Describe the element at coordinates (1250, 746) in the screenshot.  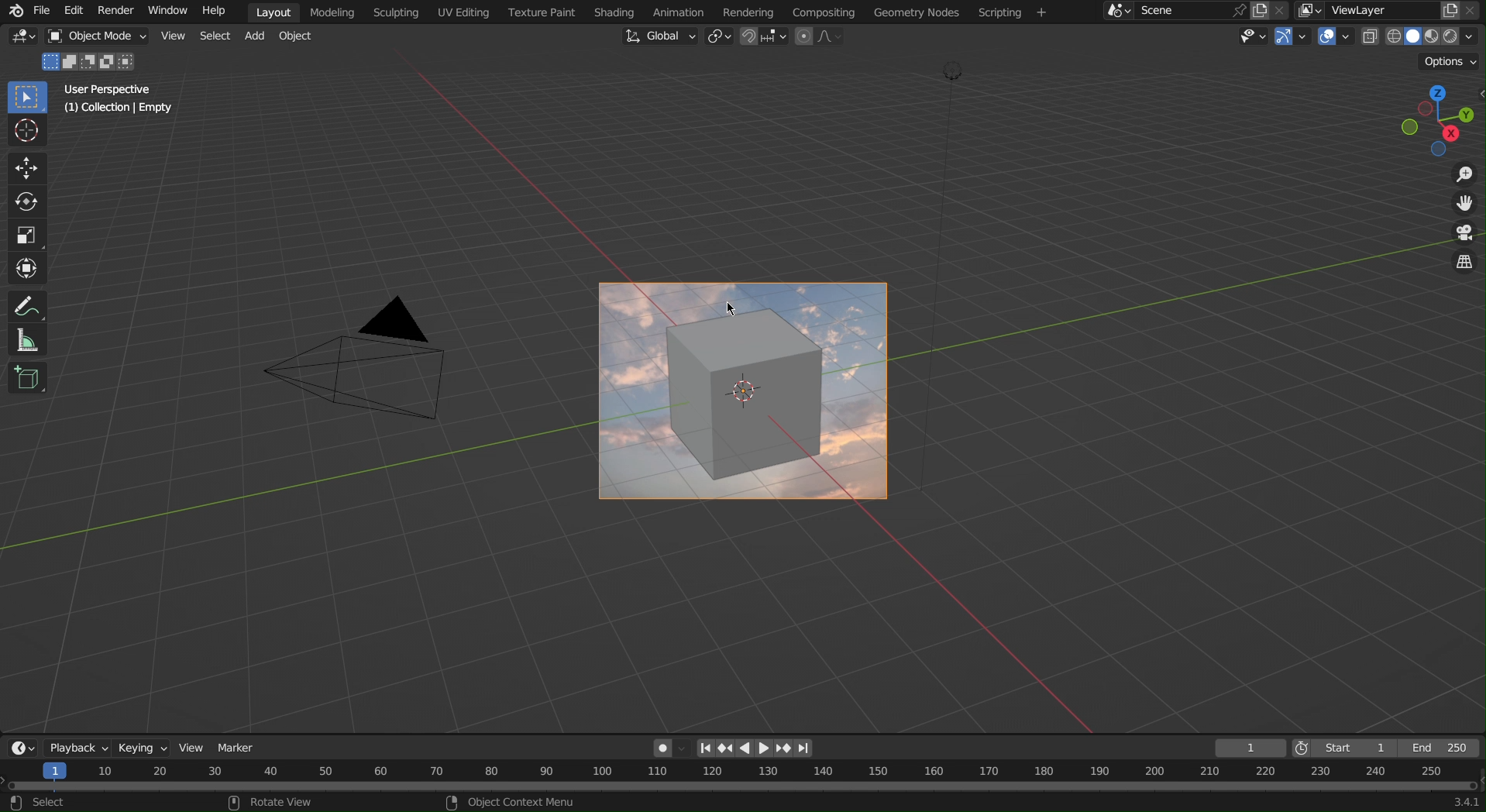
I see `1` at that location.